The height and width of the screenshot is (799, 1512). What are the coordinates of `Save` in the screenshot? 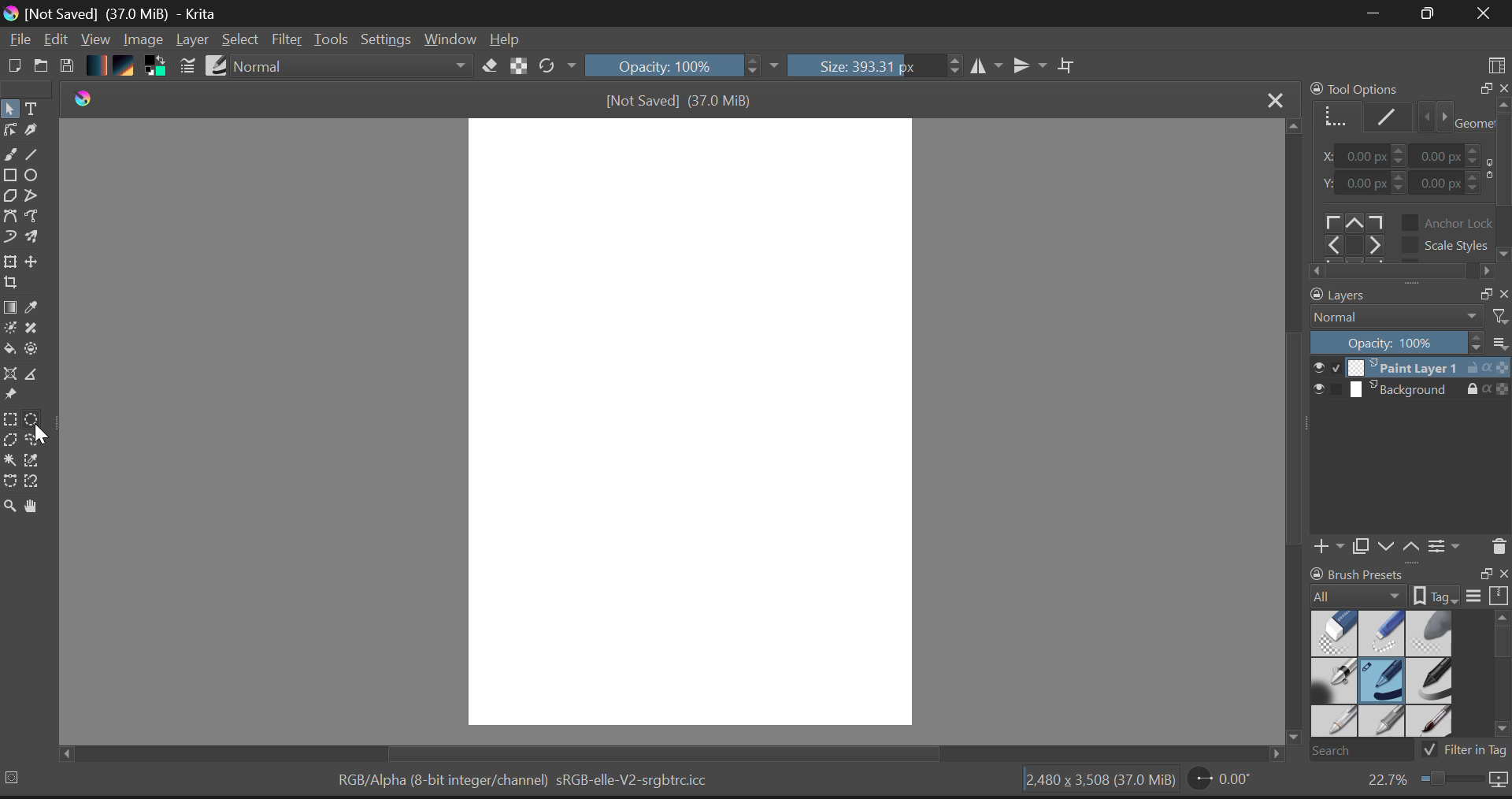 It's located at (69, 66).